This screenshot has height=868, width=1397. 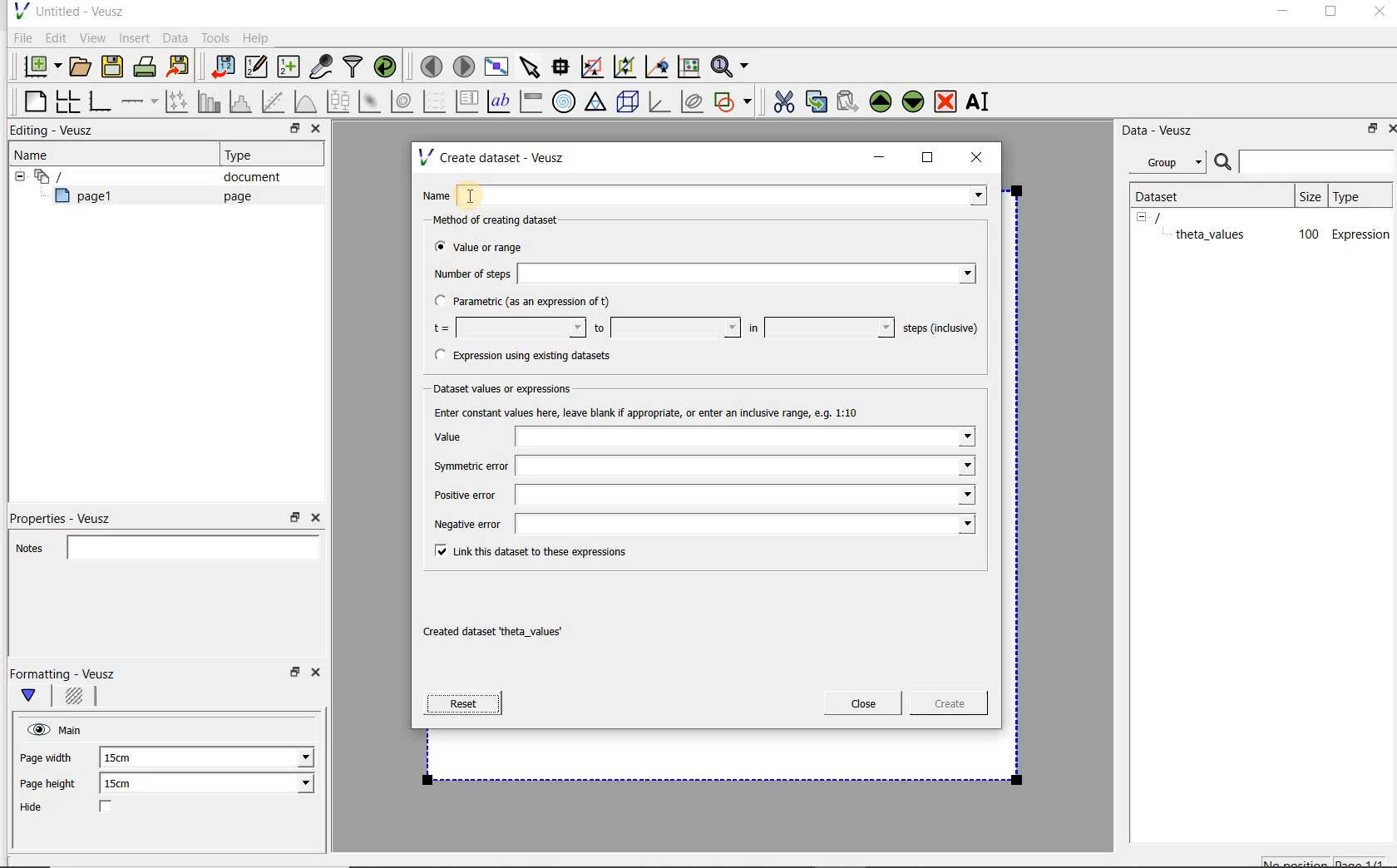 What do you see at coordinates (37, 154) in the screenshot?
I see `Name` at bounding box center [37, 154].